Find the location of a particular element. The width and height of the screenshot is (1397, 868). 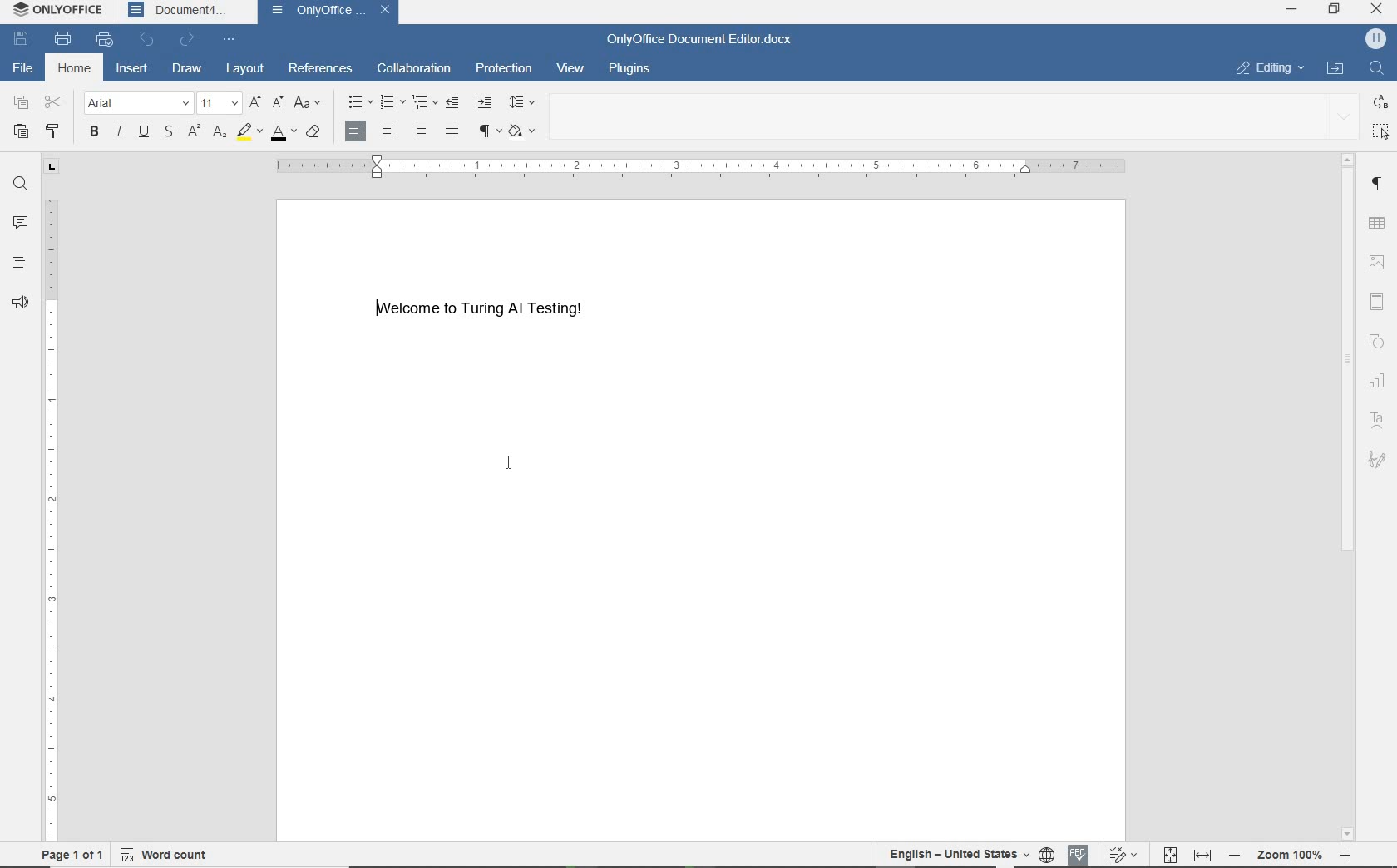

Text cursor is located at coordinates (379, 309).